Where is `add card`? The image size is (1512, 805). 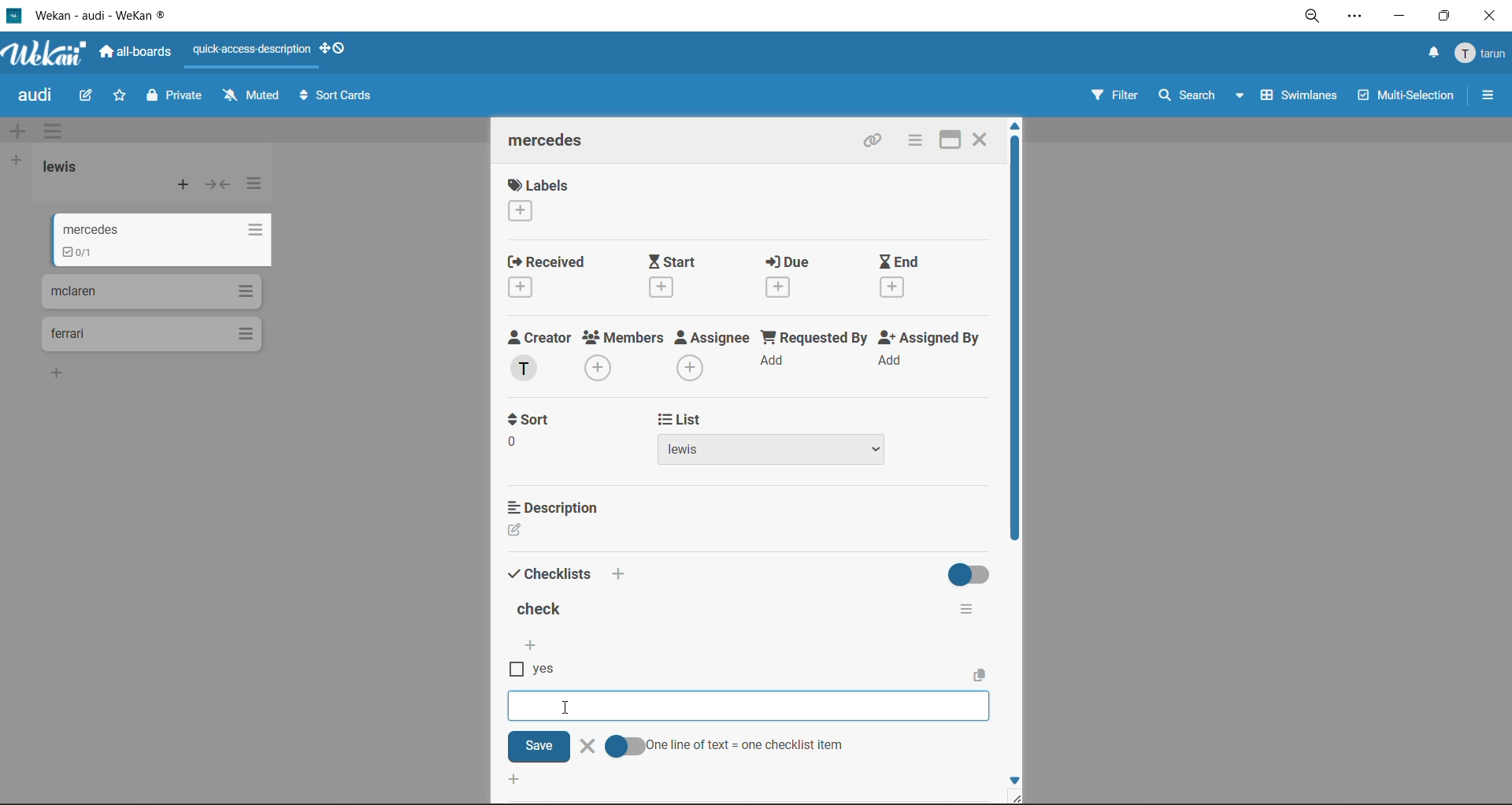 add card is located at coordinates (184, 188).